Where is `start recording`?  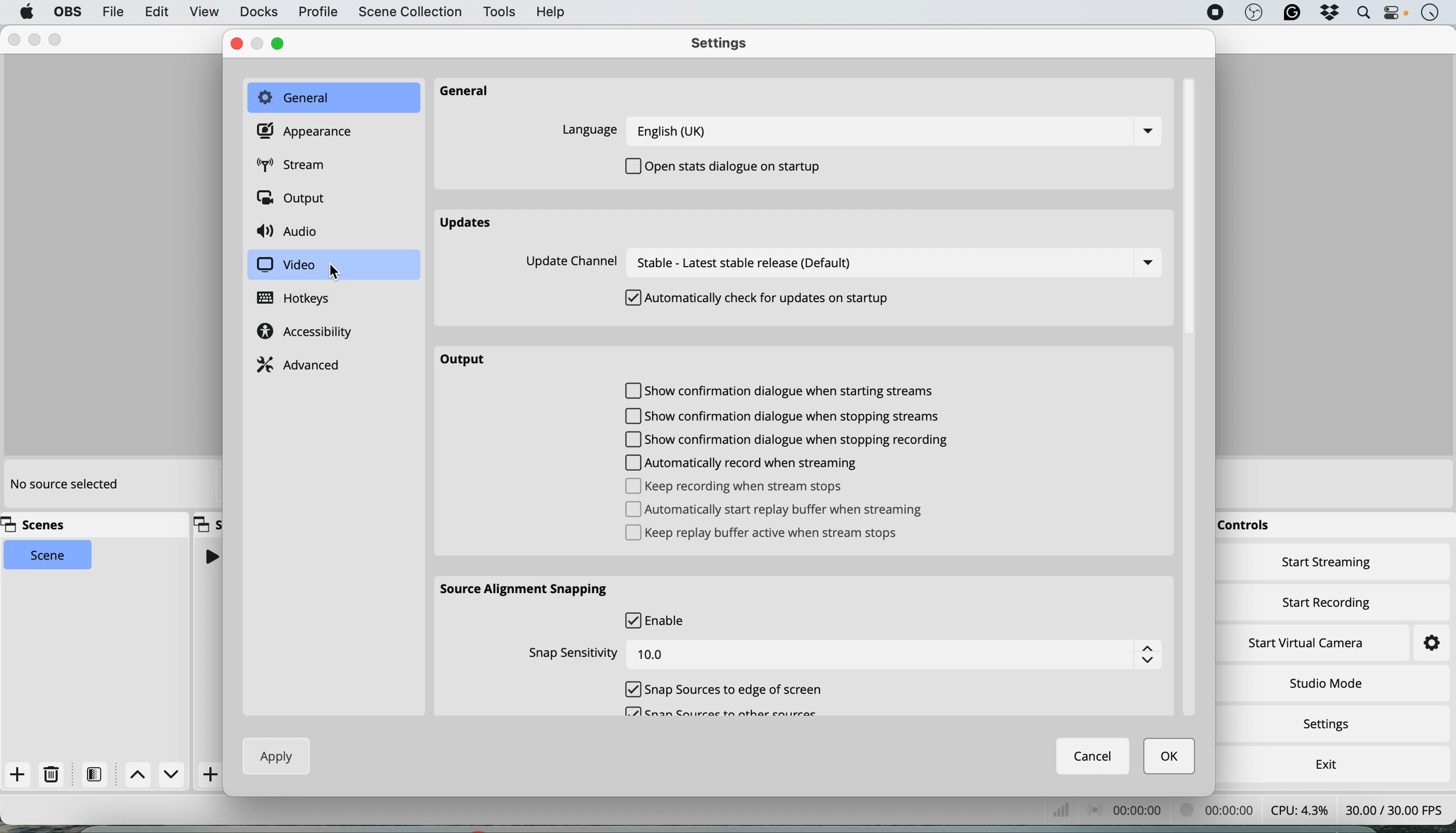 start recording is located at coordinates (1327, 600).